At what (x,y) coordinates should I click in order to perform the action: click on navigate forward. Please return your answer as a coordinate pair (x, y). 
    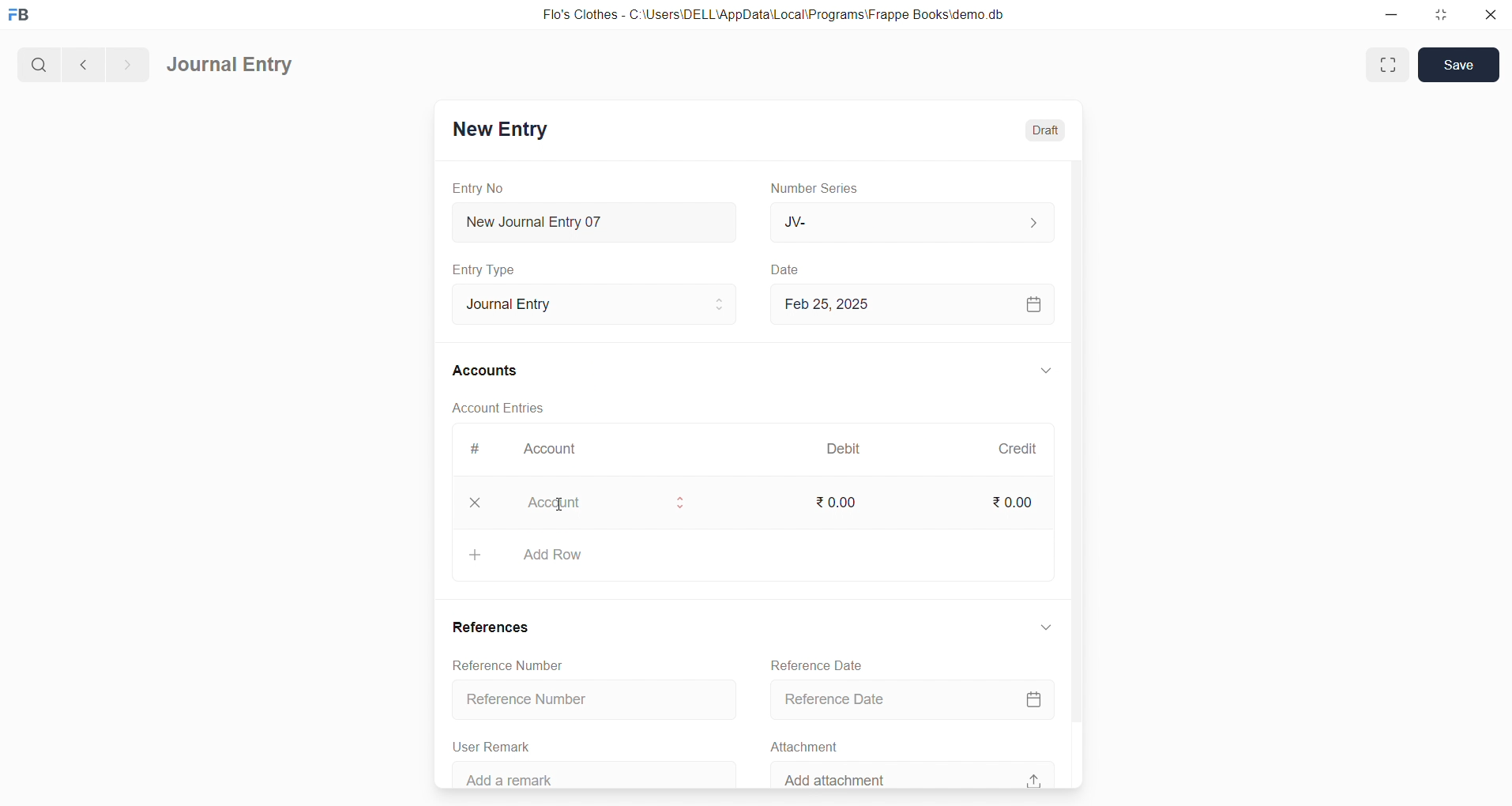
    Looking at the image, I should click on (127, 62).